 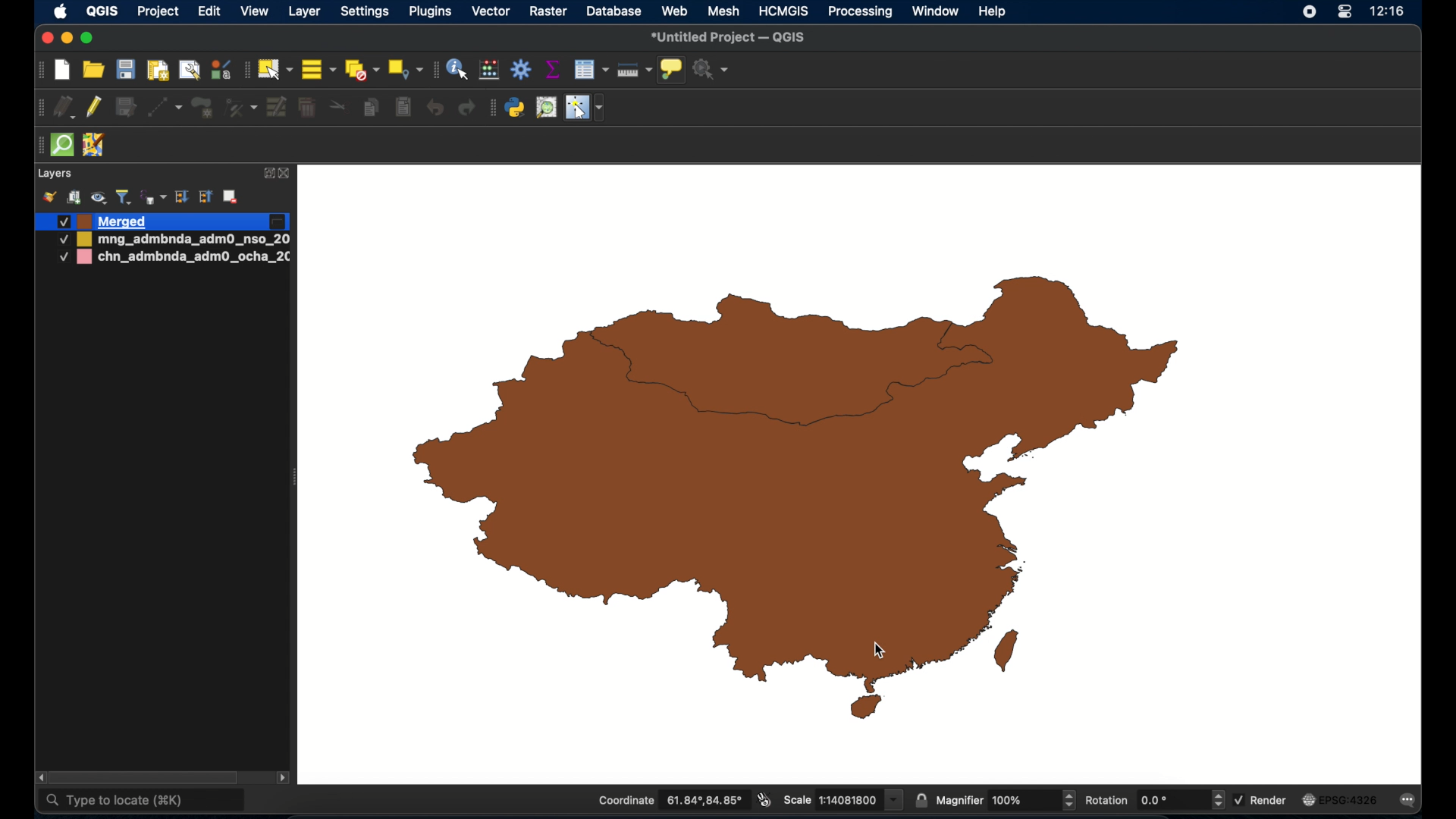 I want to click on project, so click(x=159, y=13).